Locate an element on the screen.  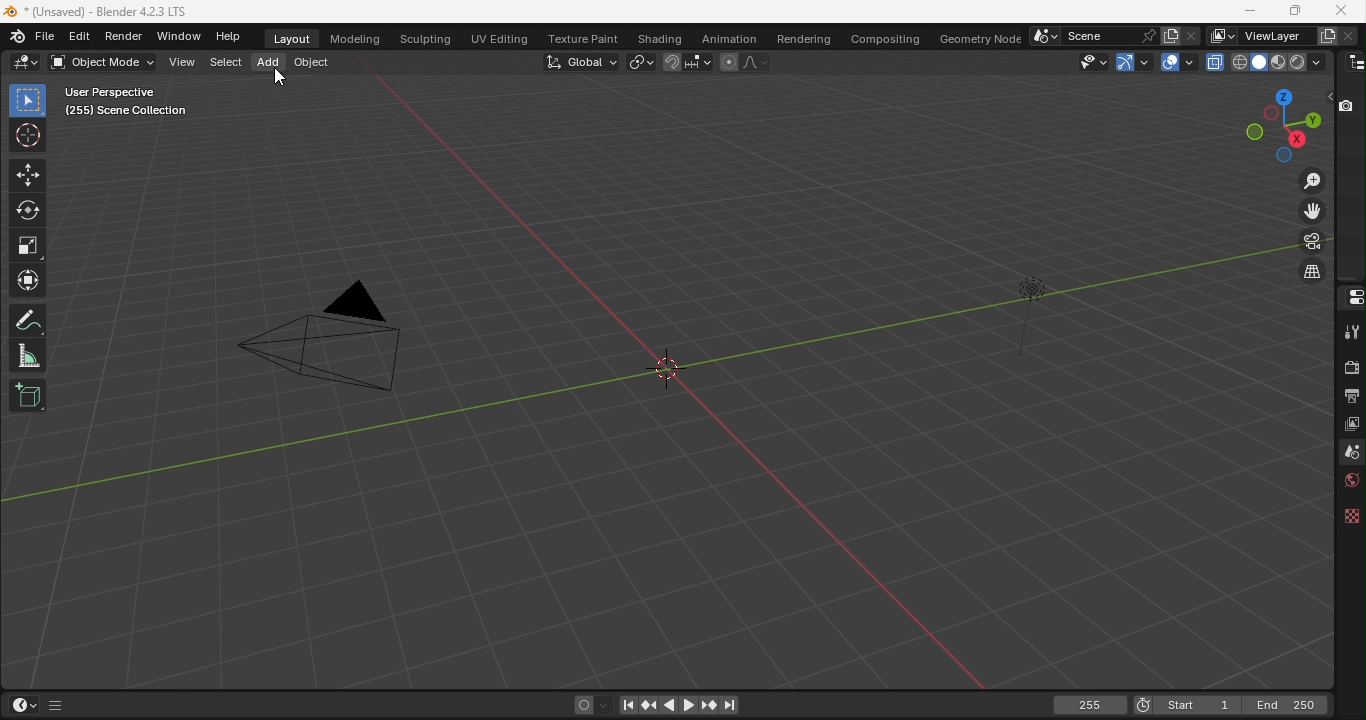
UV Editing is located at coordinates (499, 36).